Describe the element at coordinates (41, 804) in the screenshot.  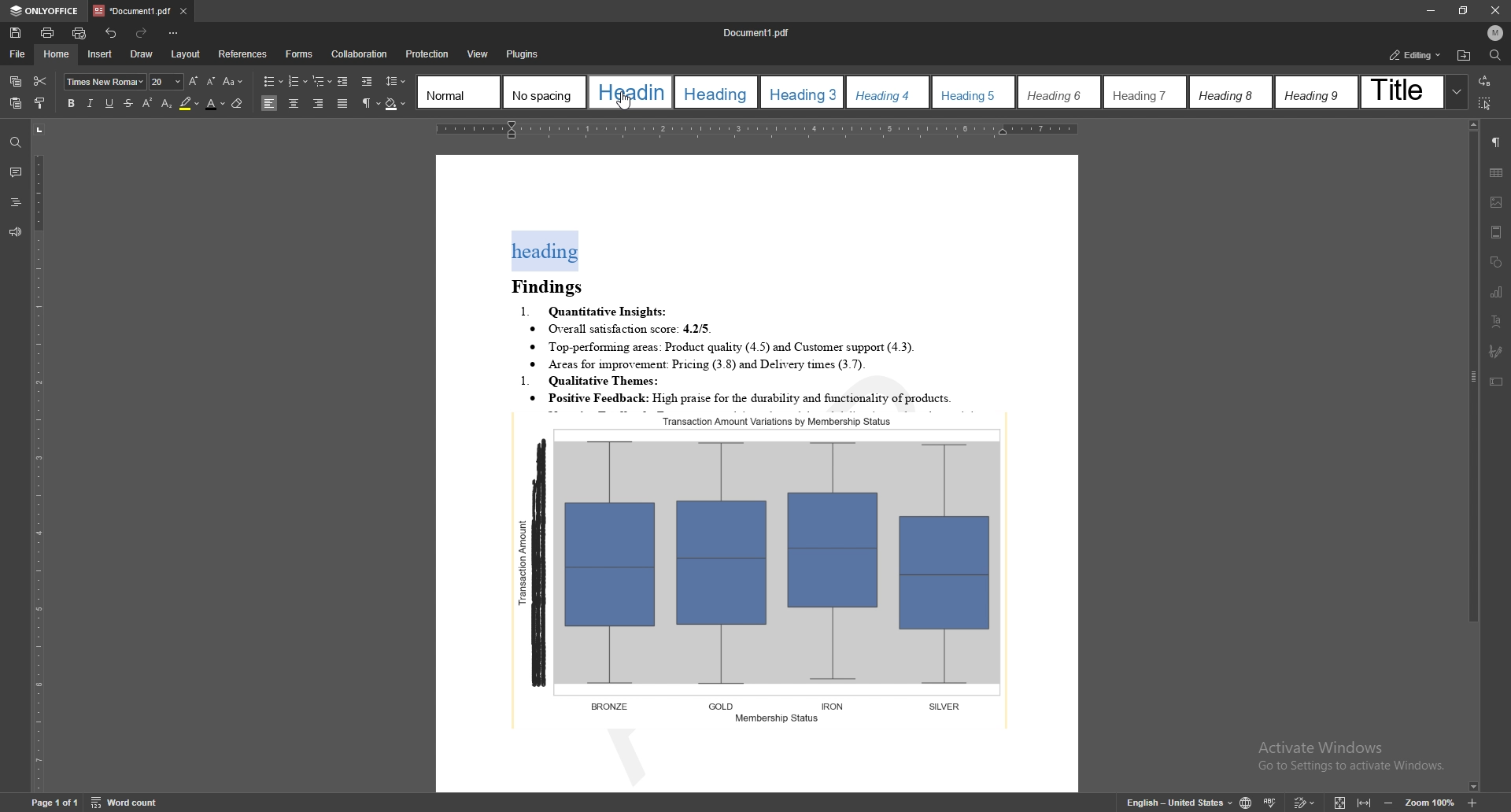
I see `Page 1 of 1` at that location.